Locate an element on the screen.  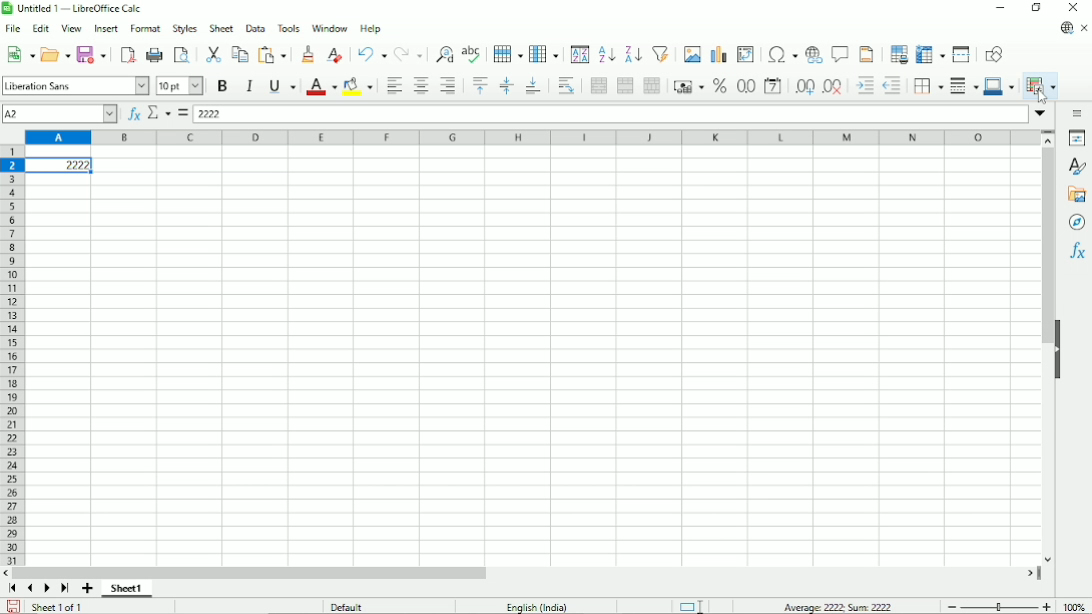
Add sheet is located at coordinates (87, 589).